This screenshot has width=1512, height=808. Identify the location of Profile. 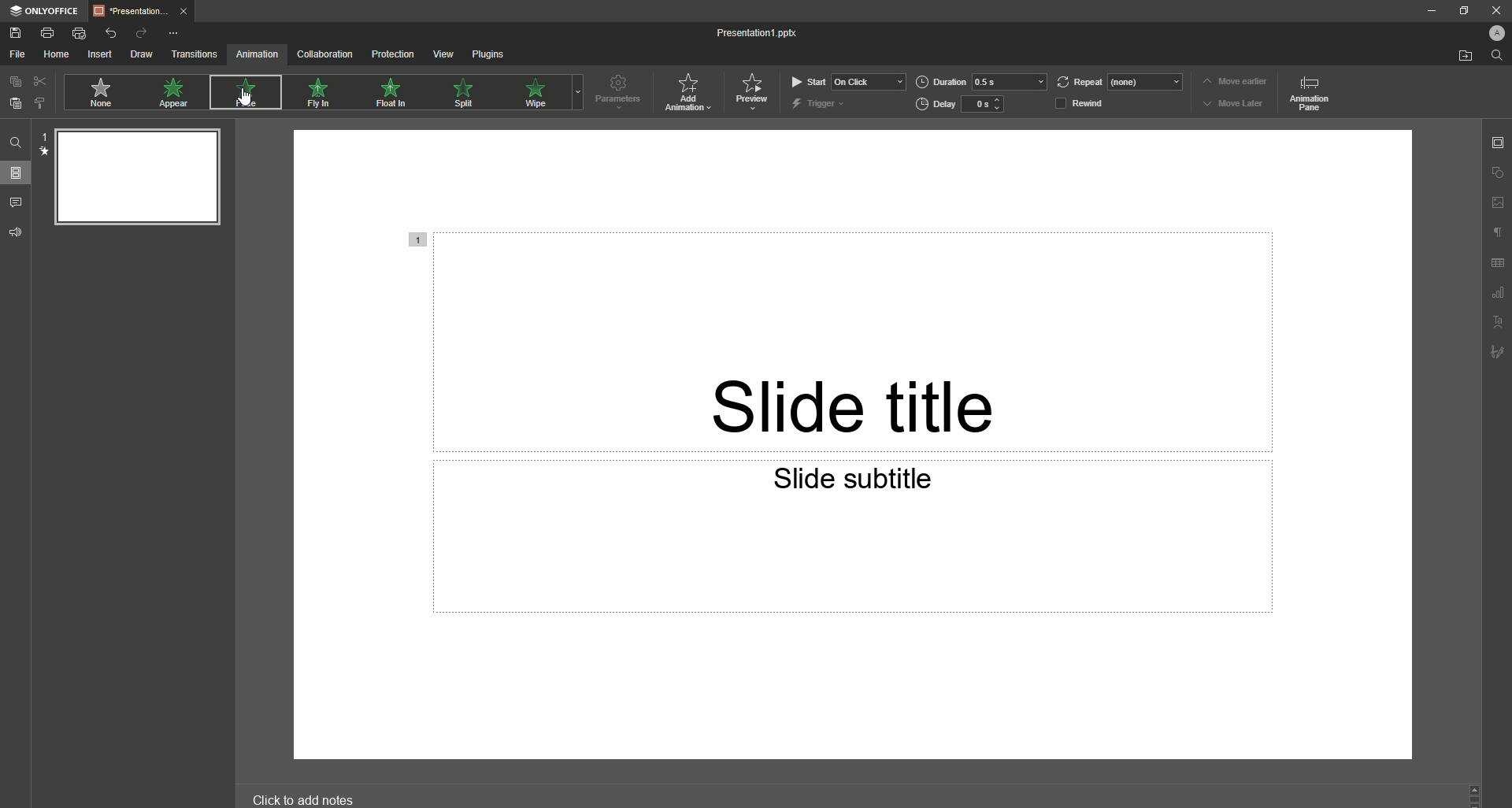
(1495, 32).